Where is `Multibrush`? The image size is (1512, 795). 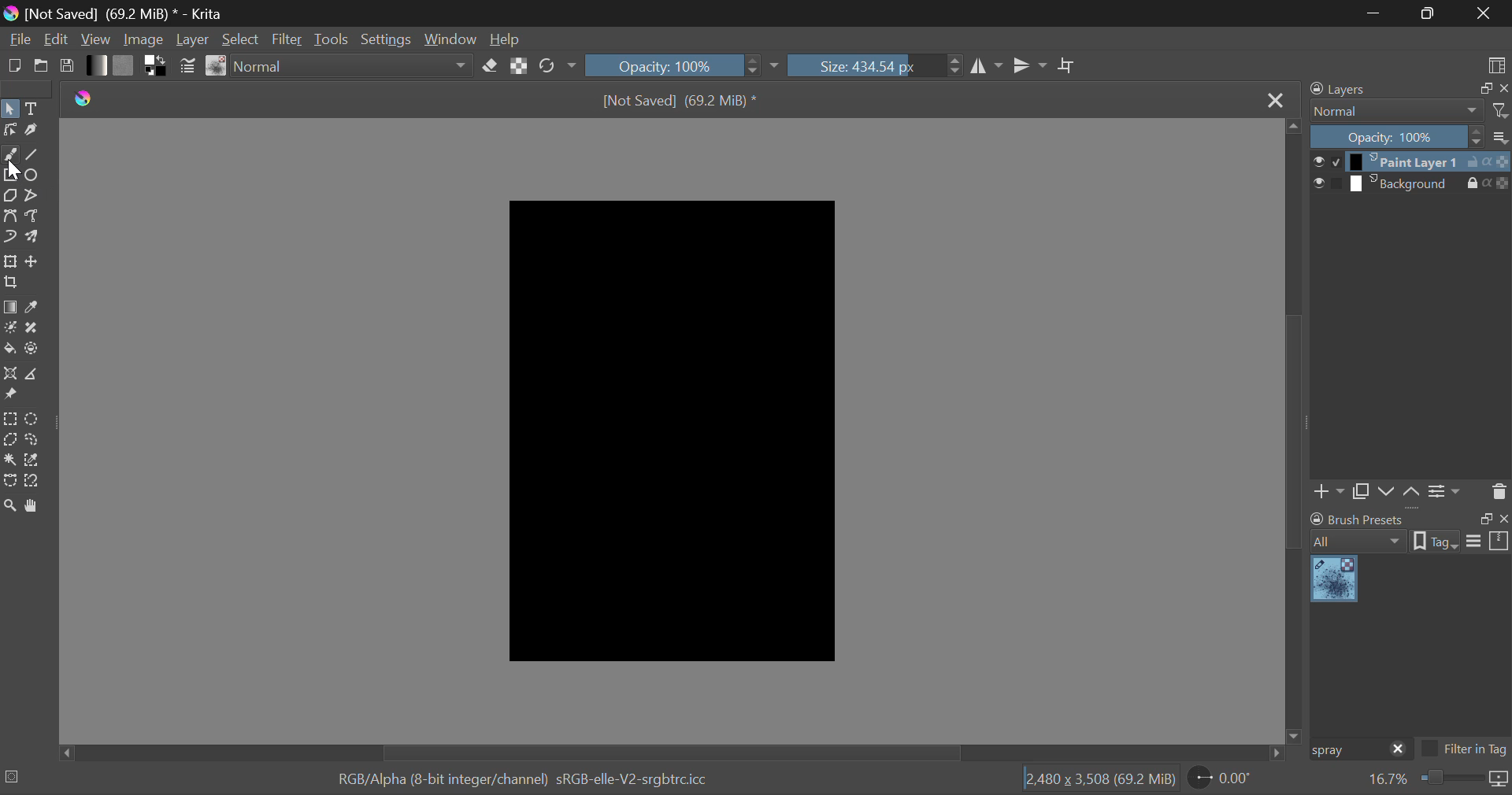
Multibrush is located at coordinates (32, 235).